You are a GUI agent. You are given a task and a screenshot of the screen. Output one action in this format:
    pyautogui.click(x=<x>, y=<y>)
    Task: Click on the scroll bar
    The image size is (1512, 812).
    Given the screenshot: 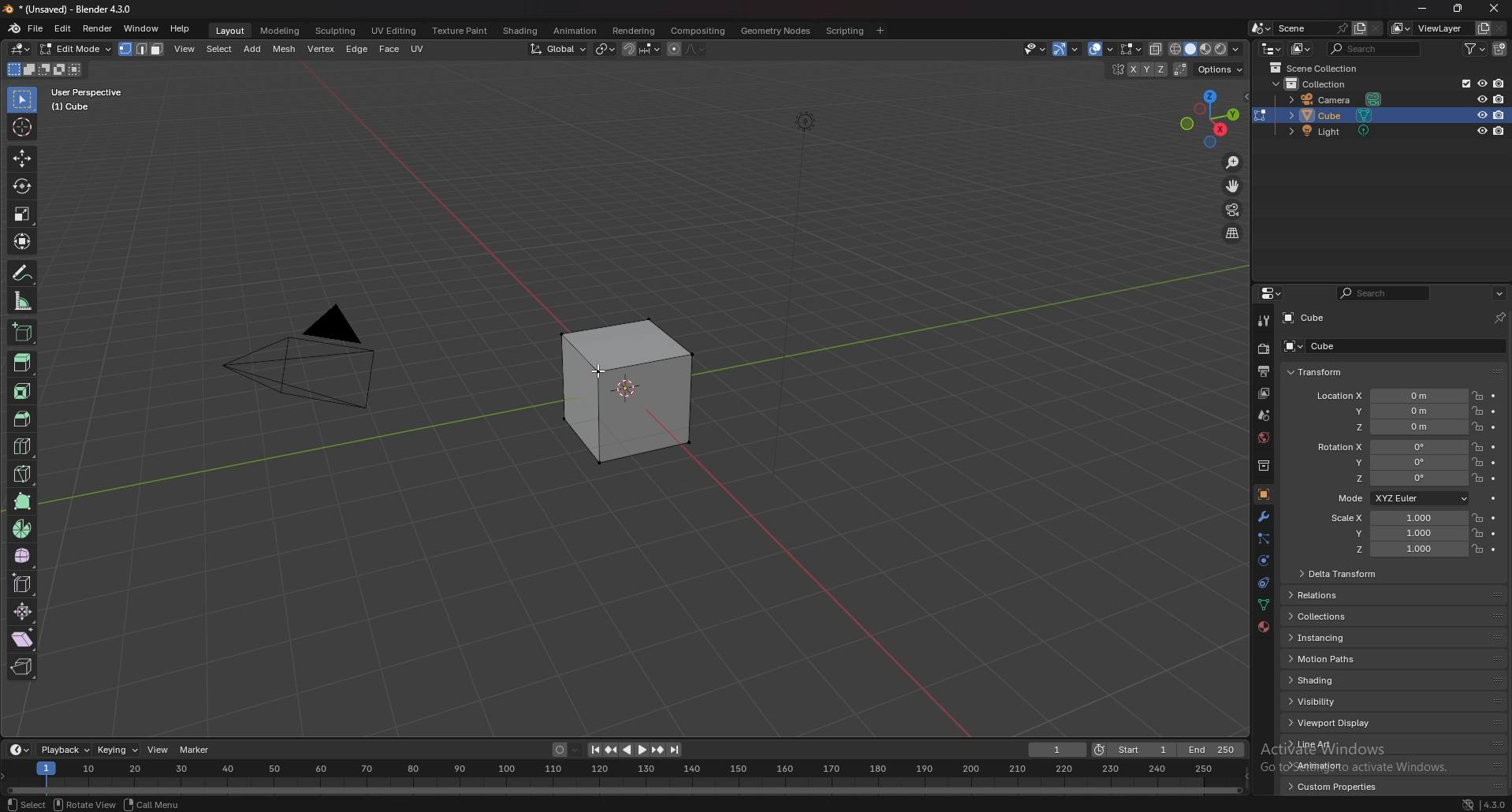 What is the action you would take?
    pyautogui.click(x=1511, y=557)
    